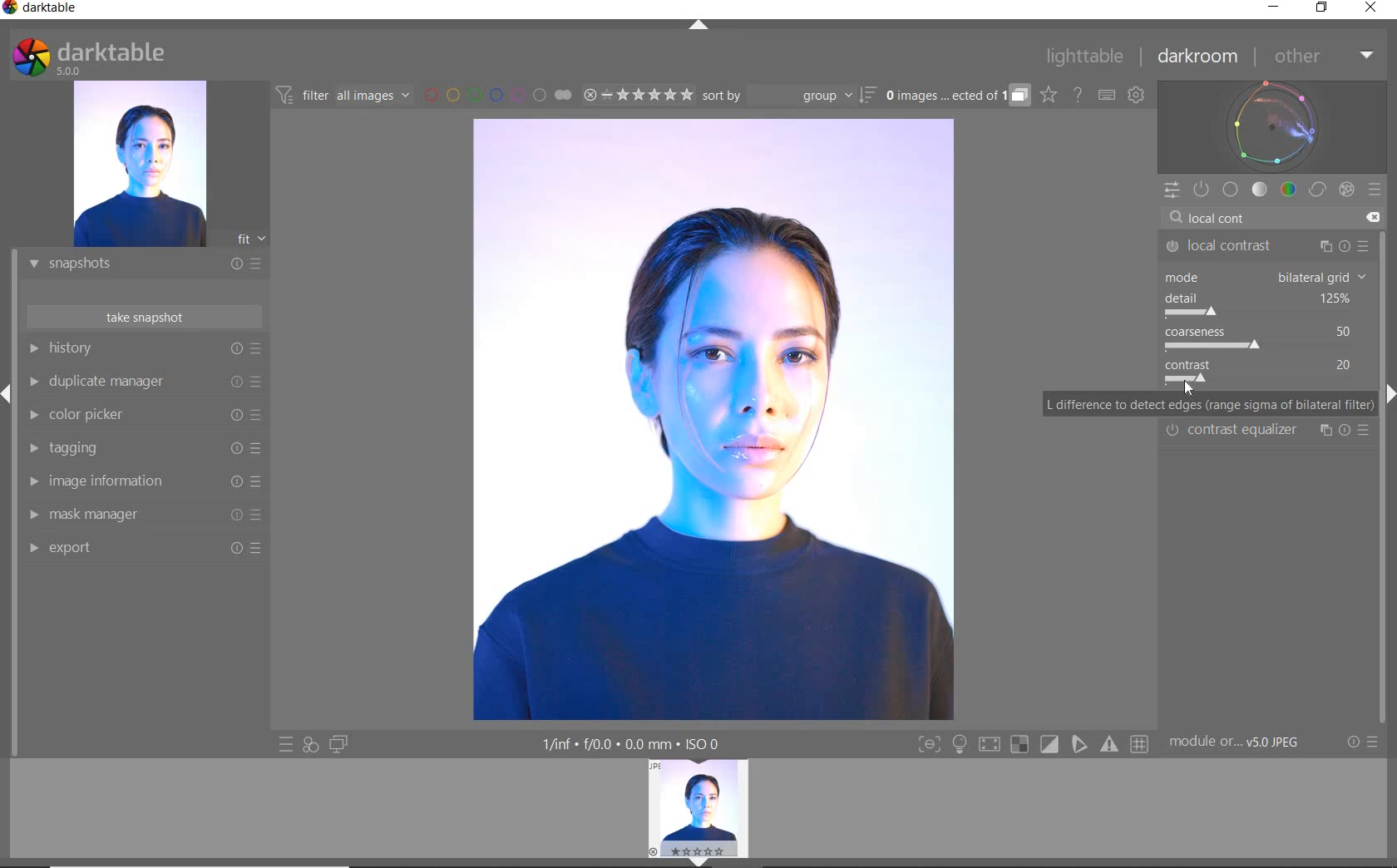 Image resolution: width=1397 pixels, height=868 pixels. I want to click on COLOR PICKER, so click(141, 416).